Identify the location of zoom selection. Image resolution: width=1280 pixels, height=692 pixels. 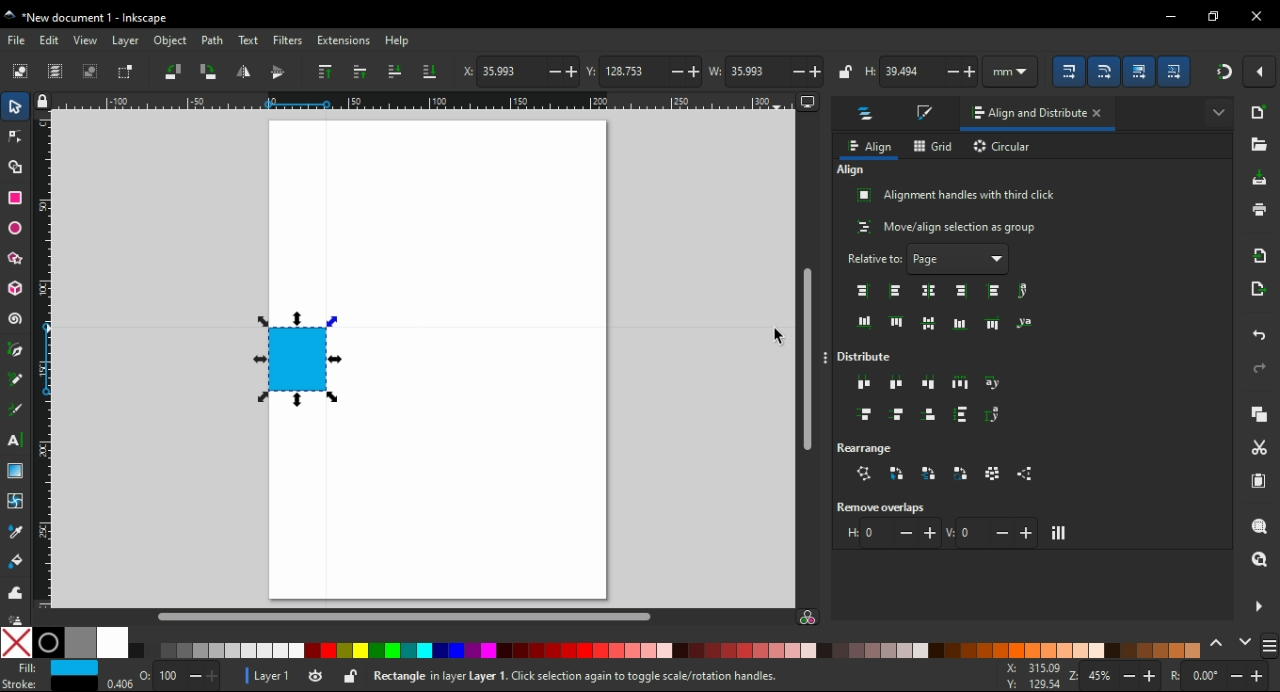
(1260, 528).